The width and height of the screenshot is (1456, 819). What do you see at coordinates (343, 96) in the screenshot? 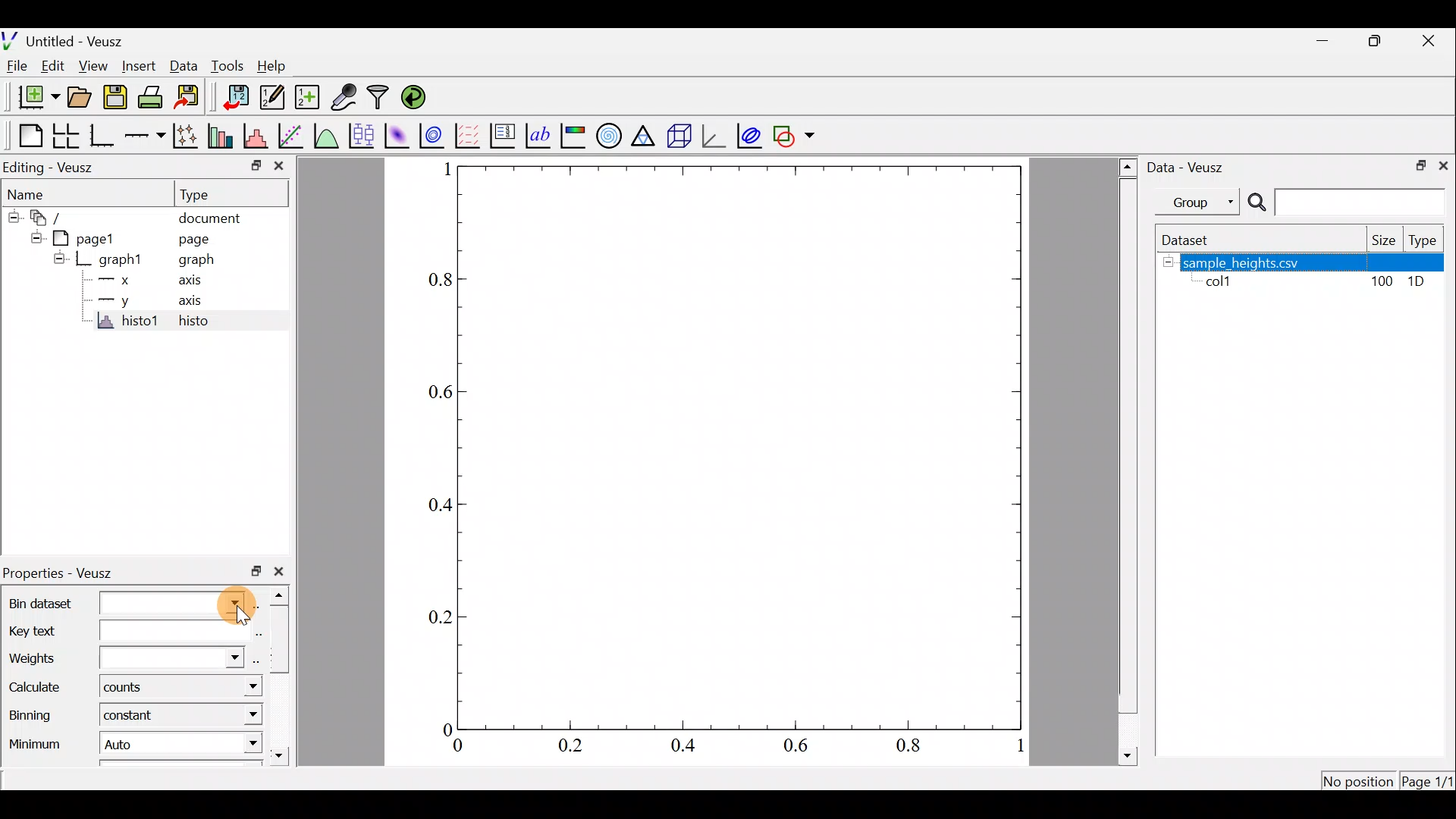
I see `capture remote data` at bounding box center [343, 96].